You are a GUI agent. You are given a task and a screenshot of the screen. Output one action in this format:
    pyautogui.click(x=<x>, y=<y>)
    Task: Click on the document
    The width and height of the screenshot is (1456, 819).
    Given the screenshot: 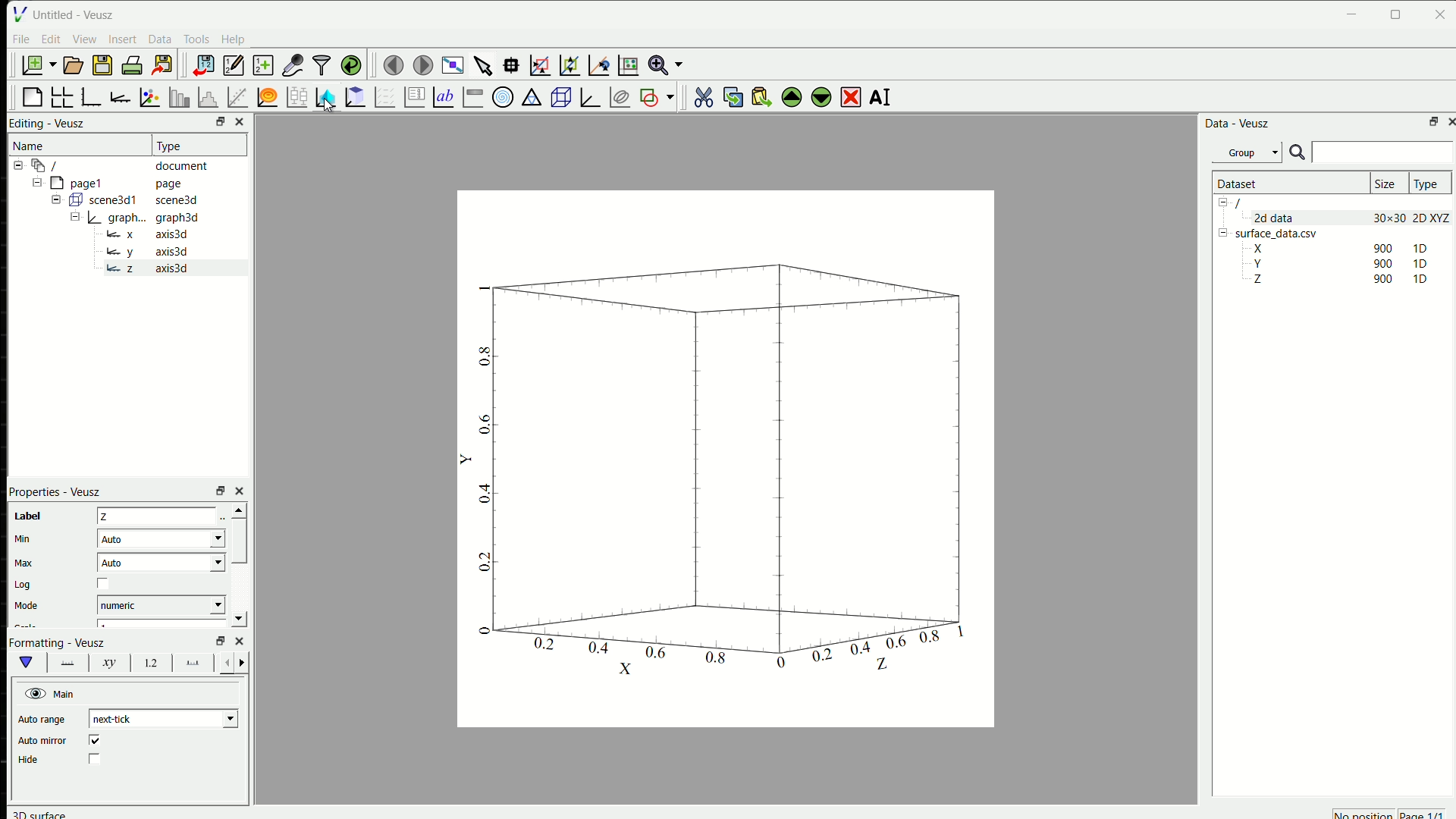 What is the action you would take?
    pyautogui.click(x=181, y=167)
    